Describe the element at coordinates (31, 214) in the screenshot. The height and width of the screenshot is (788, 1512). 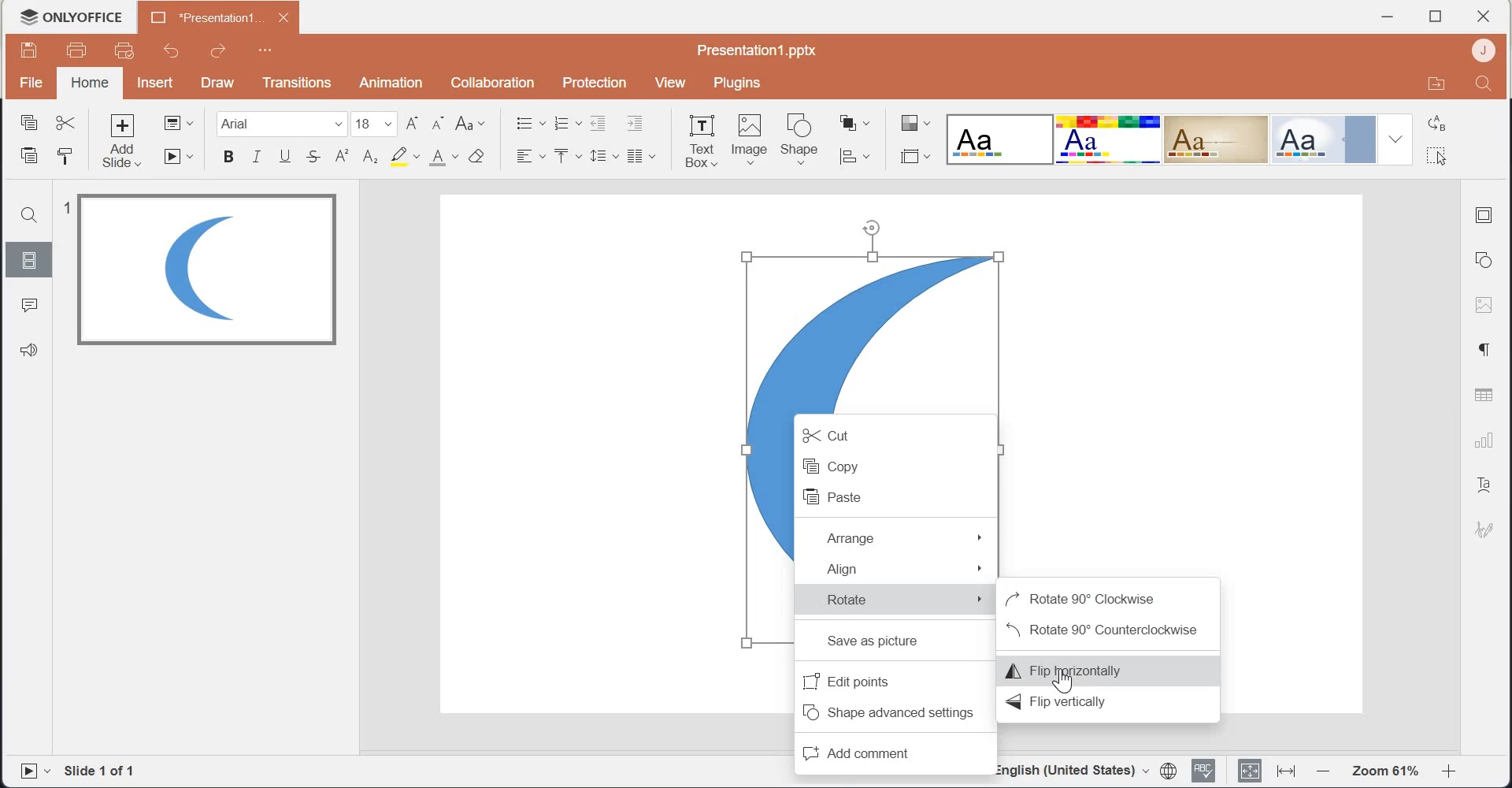
I see `Search` at that location.